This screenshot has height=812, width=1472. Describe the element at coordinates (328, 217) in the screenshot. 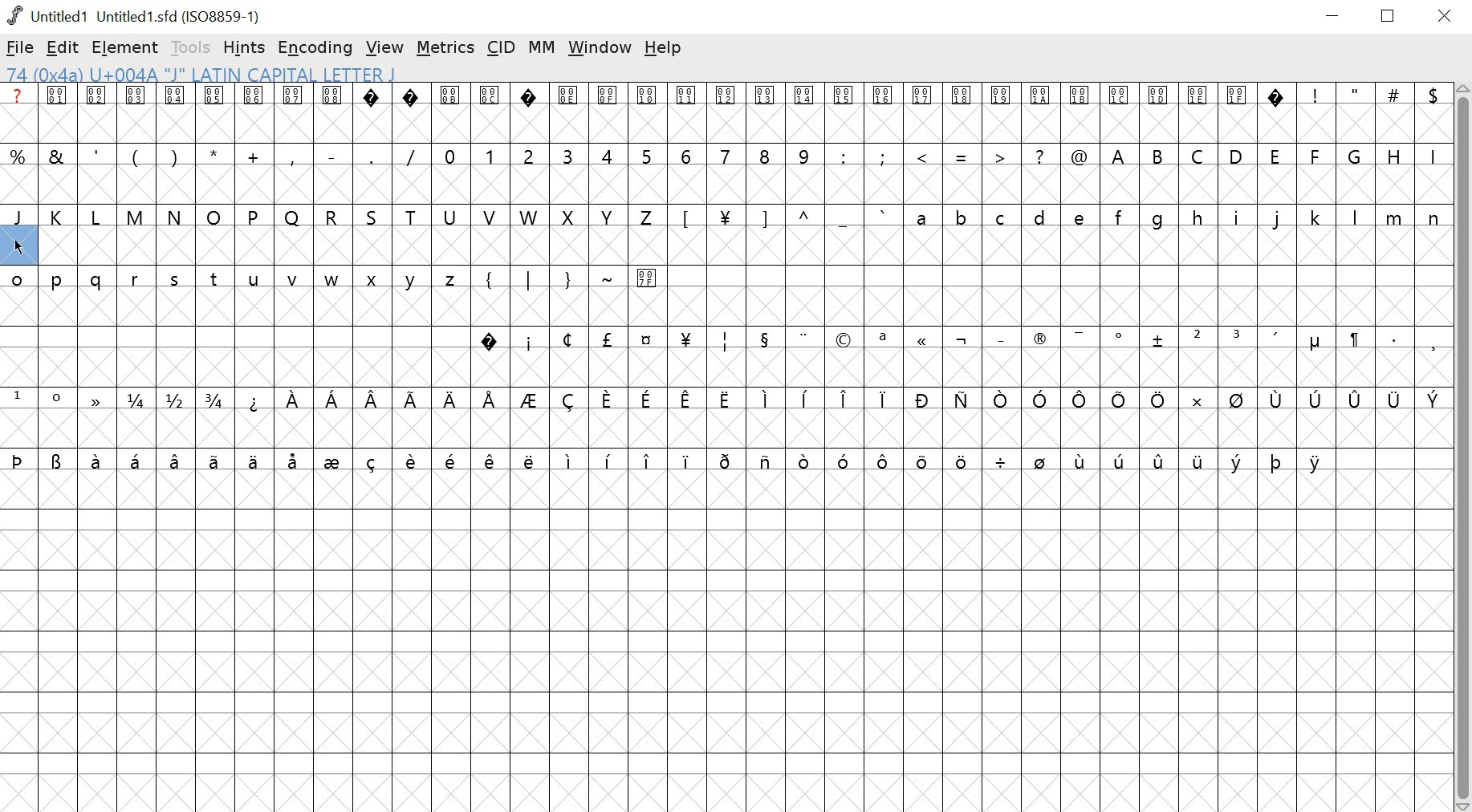

I see `uppercase letters` at that location.